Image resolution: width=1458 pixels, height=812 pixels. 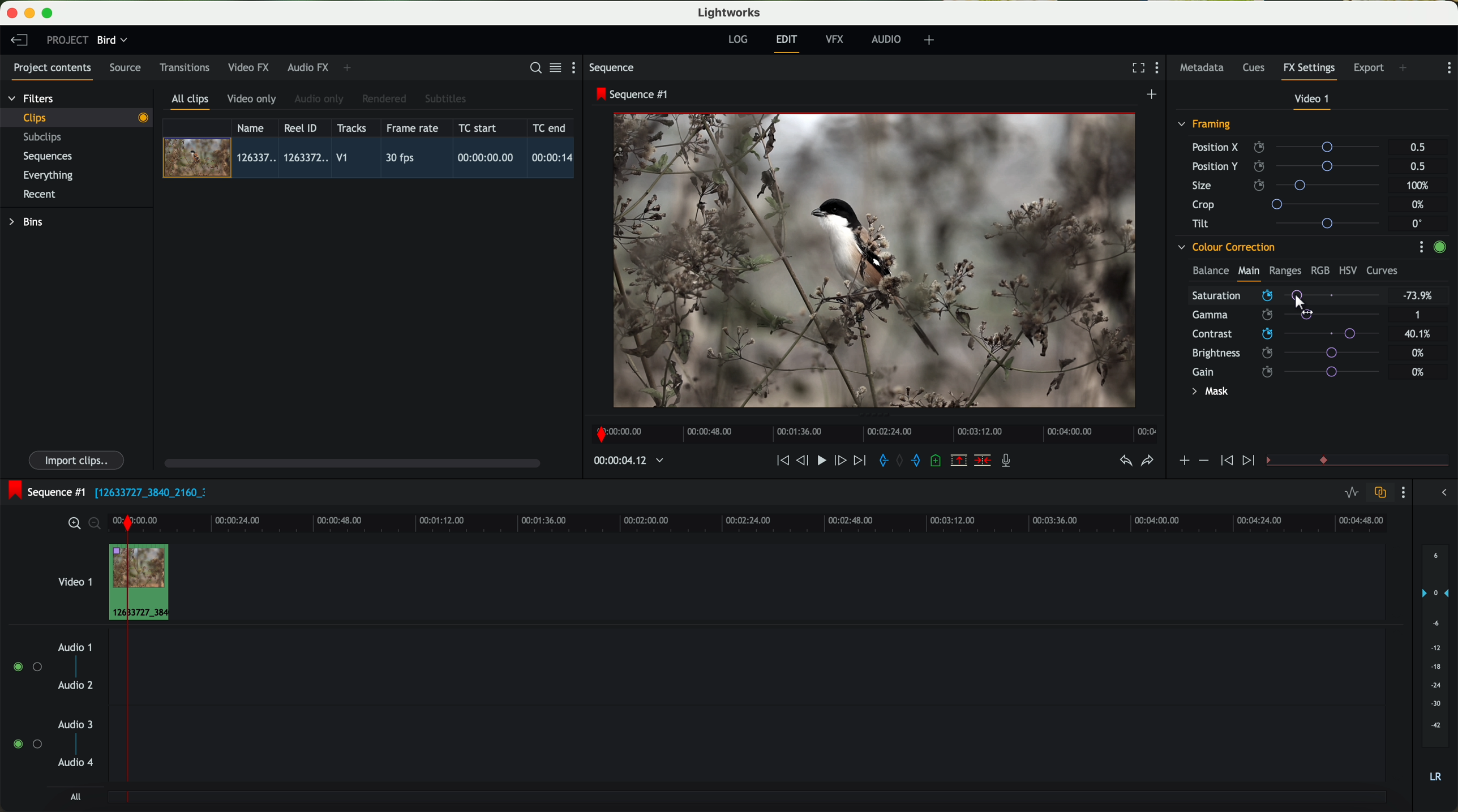 What do you see at coordinates (72, 524) in the screenshot?
I see `zoom in` at bounding box center [72, 524].